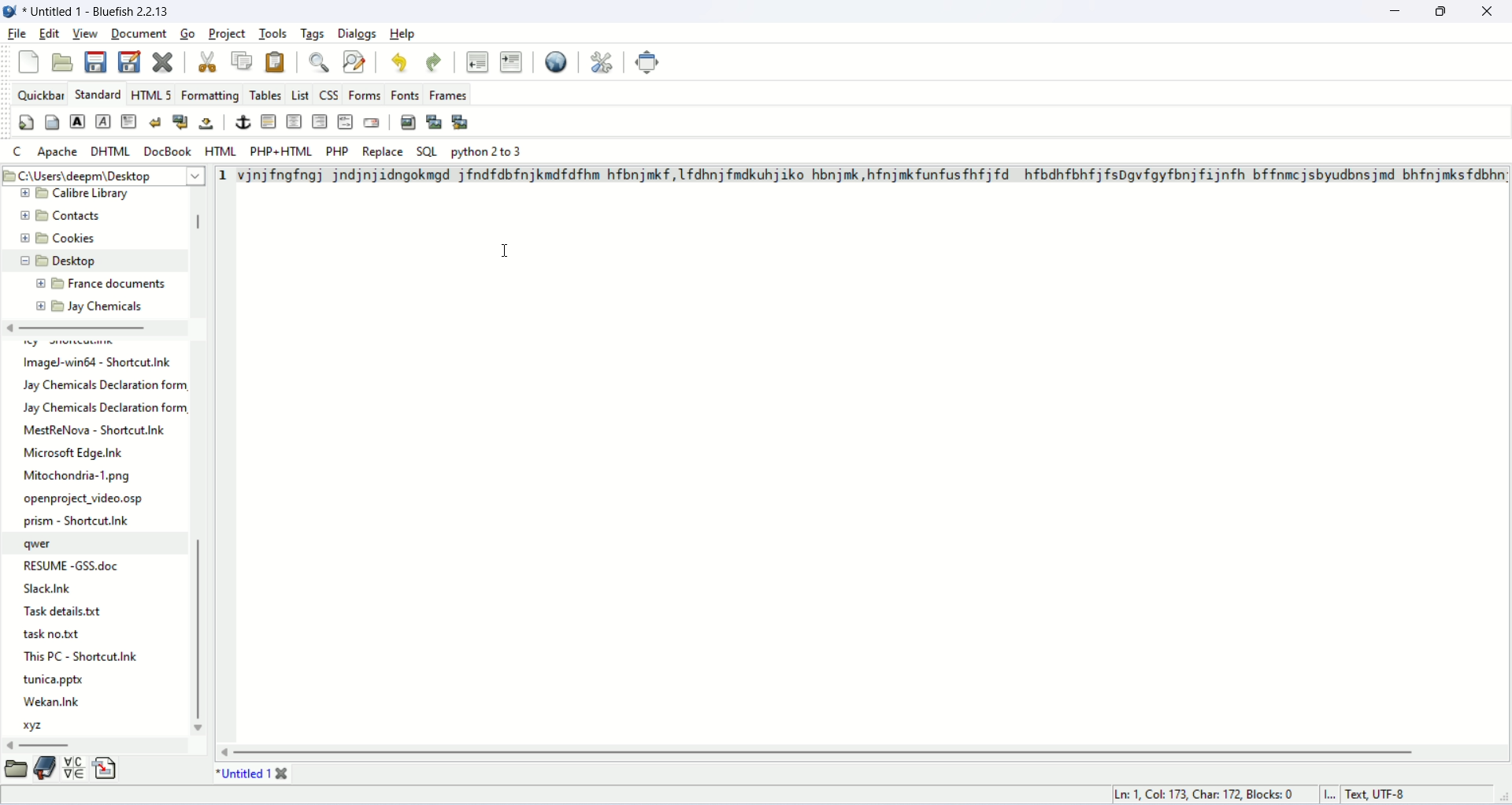 The height and width of the screenshot is (805, 1512). What do you see at coordinates (1332, 794) in the screenshot?
I see `I` at bounding box center [1332, 794].